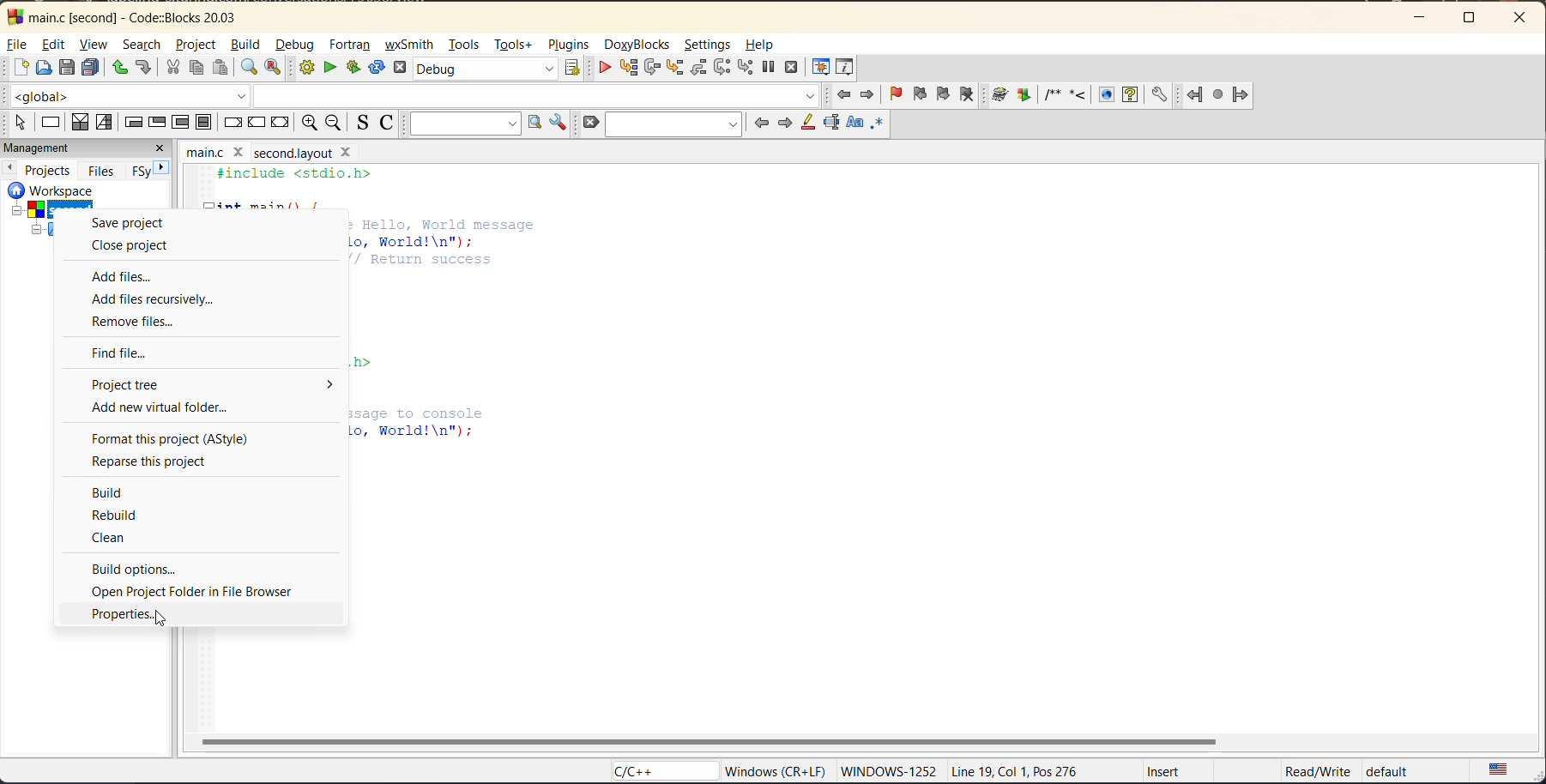 Image resolution: width=1546 pixels, height=784 pixels. I want to click on minimize, so click(1428, 15).